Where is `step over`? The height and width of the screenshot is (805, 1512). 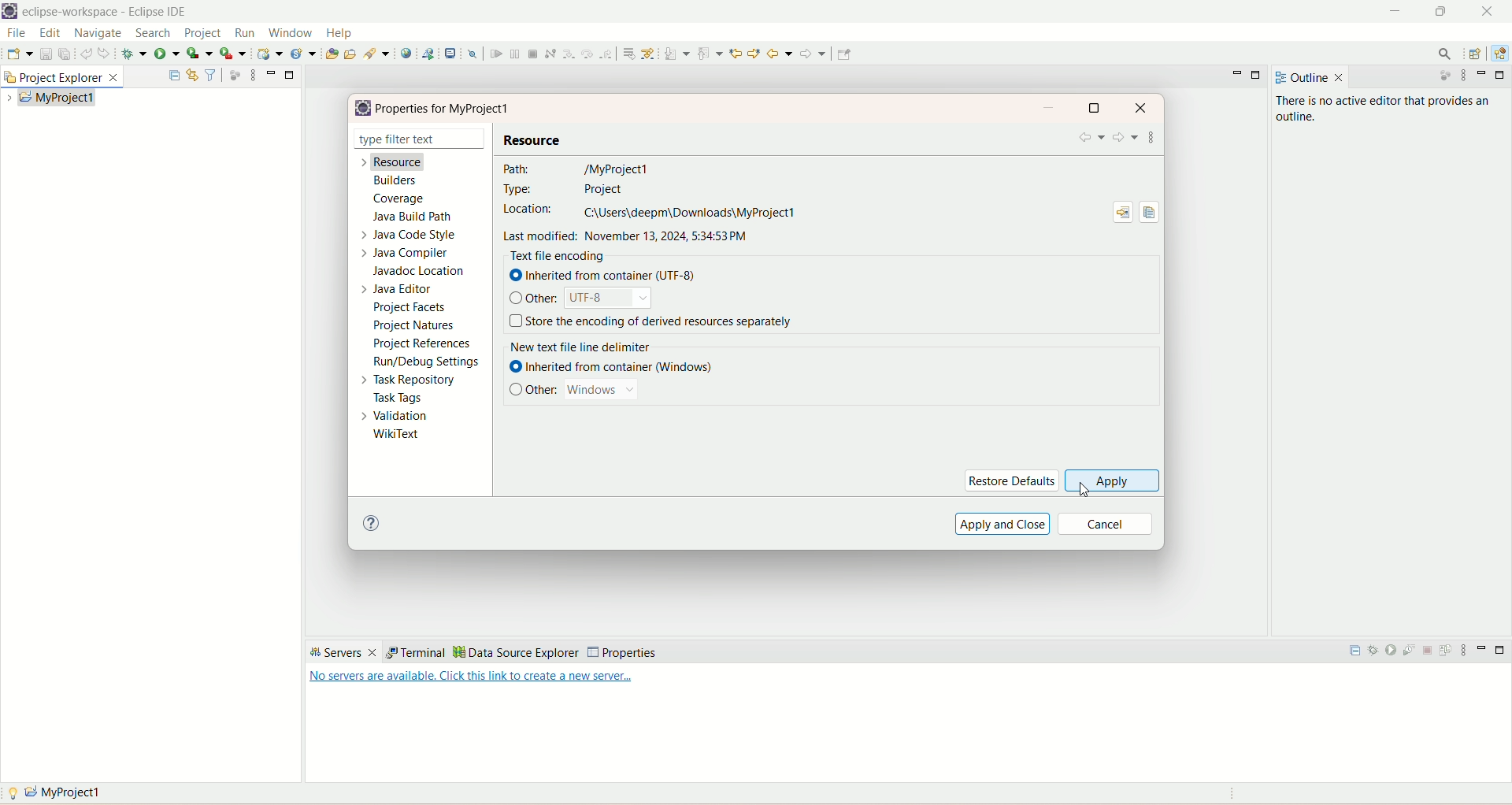
step over is located at coordinates (587, 54).